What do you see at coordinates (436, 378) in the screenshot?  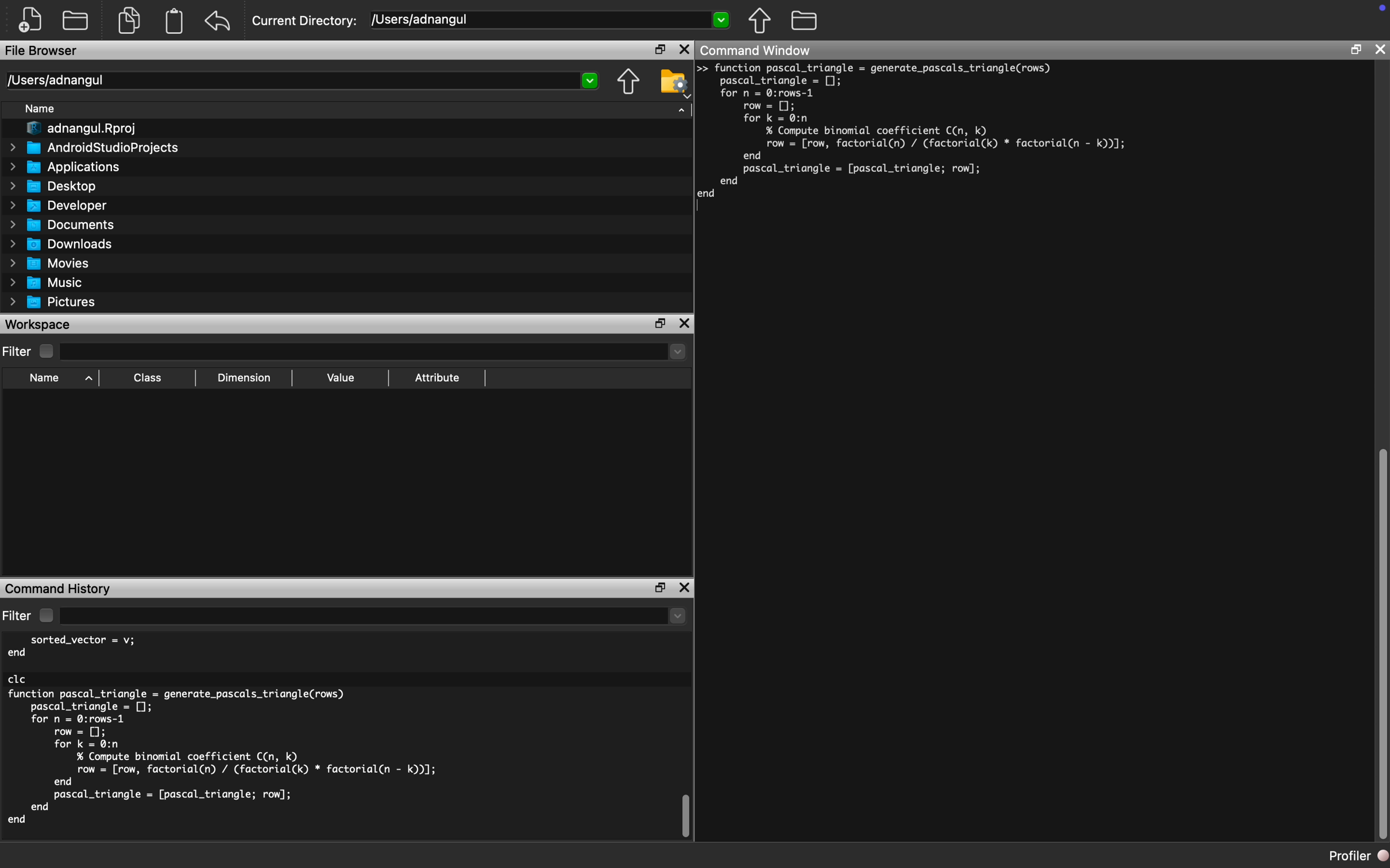 I see `Attribute` at bounding box center [436, 378].